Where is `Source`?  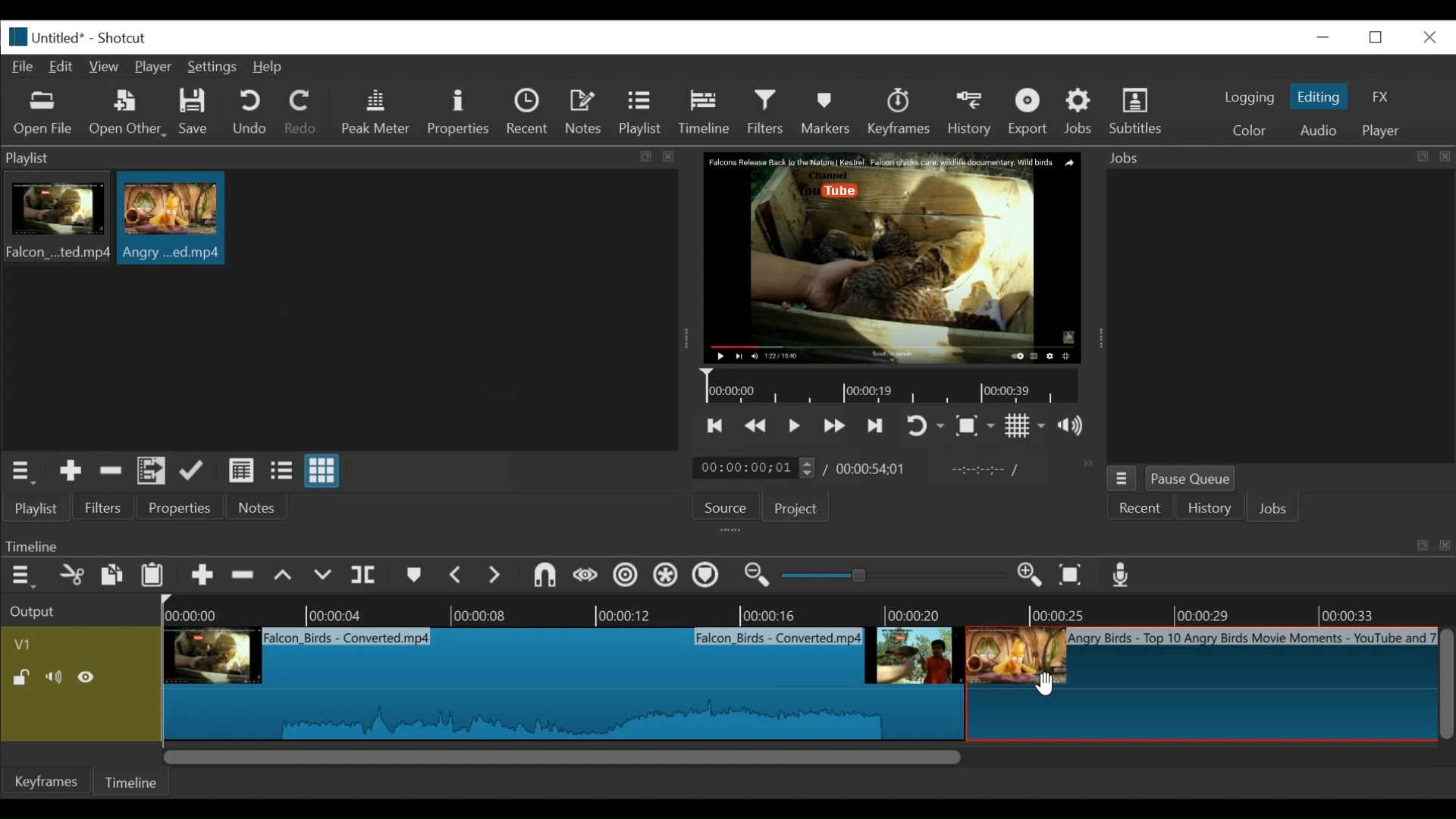 Source is located at coordinates (720, 510).